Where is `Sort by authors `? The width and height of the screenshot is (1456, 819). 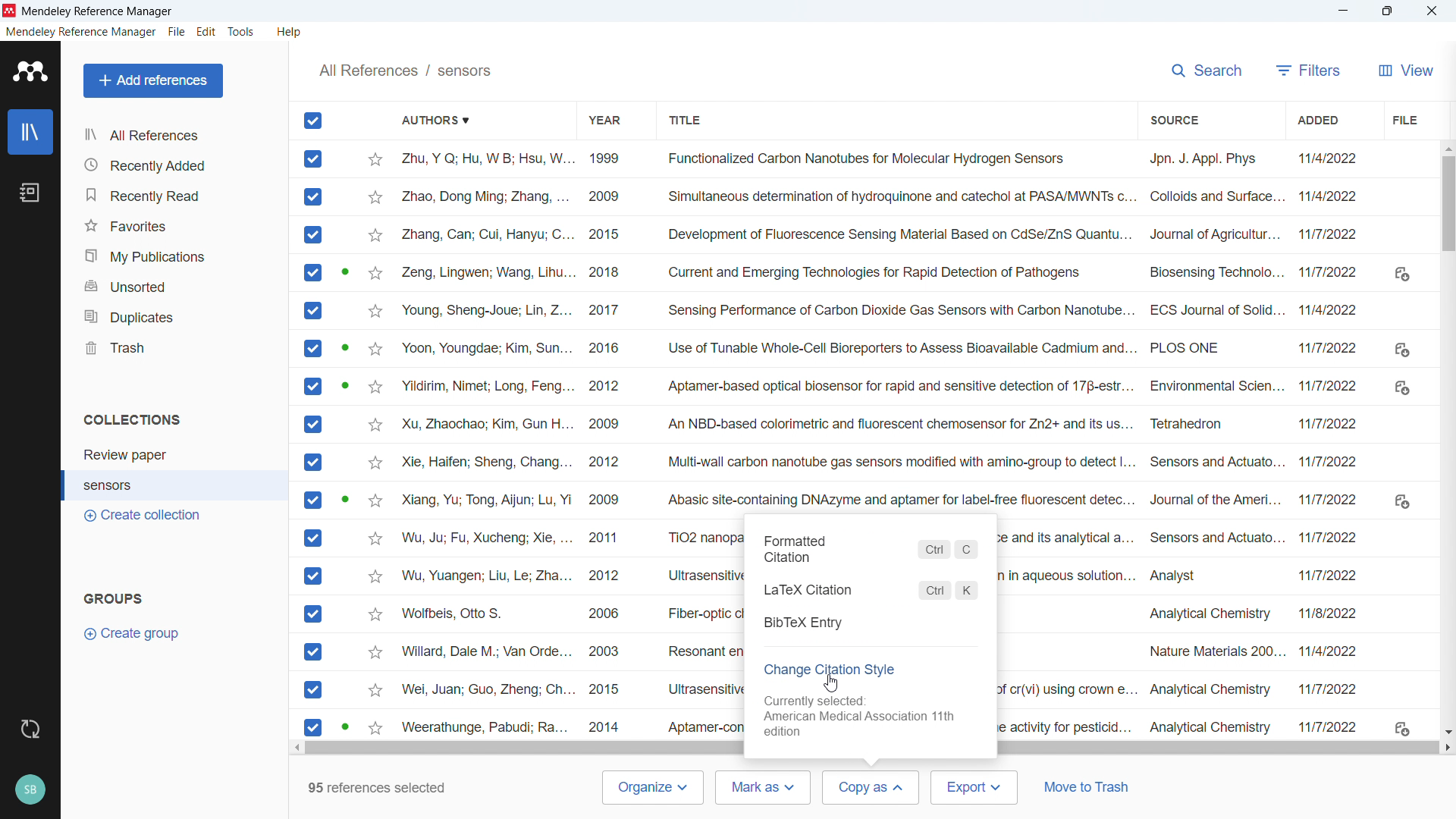
Sort by authors  is located at coordinates (435, 121).